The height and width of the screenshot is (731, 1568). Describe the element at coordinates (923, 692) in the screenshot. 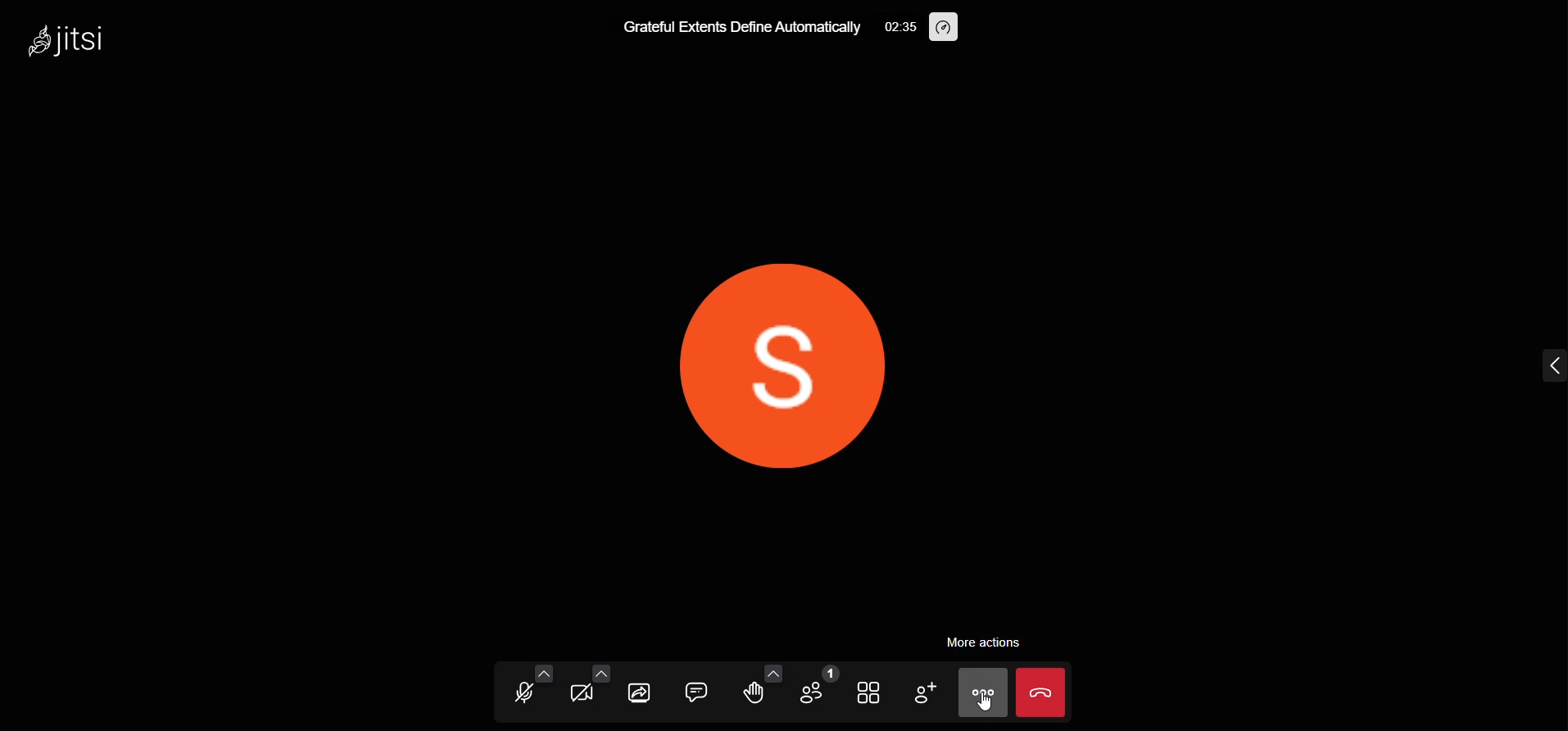

I see `invite people` at that location.